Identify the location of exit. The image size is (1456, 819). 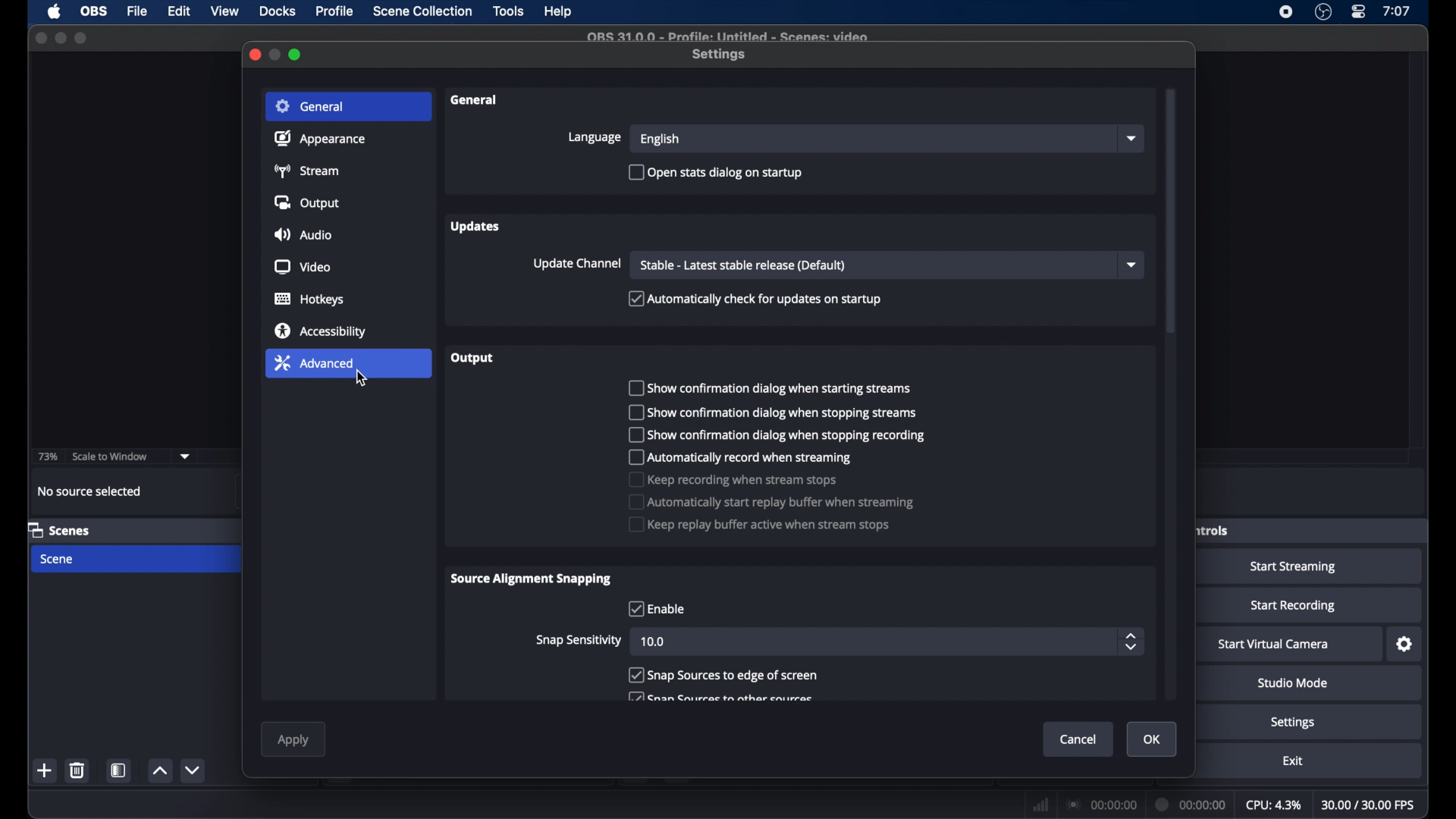
(1293, 760).